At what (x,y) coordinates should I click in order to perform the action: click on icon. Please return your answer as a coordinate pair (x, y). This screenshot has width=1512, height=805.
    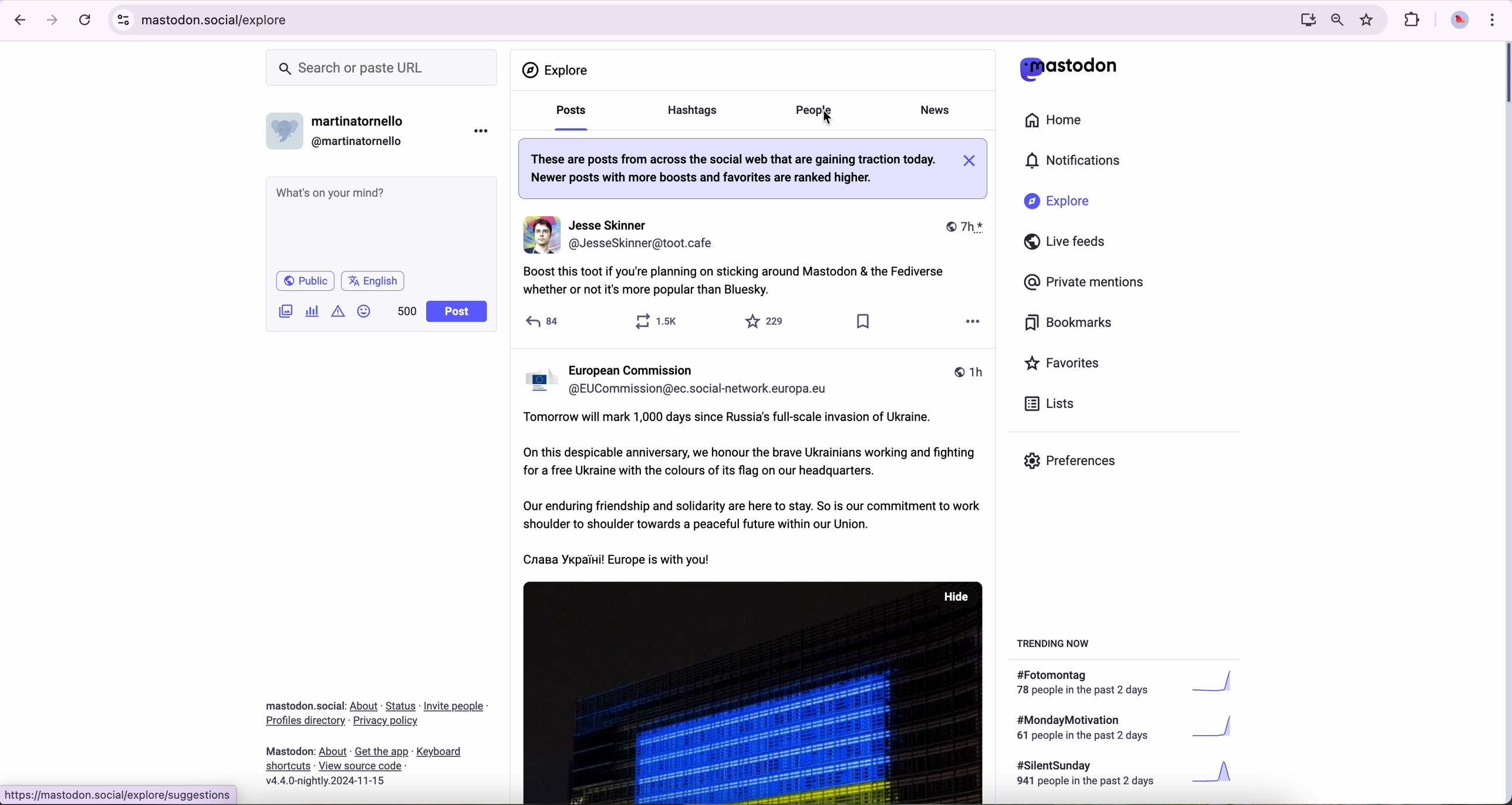
    Looking at the image, I should click on (339, 311).